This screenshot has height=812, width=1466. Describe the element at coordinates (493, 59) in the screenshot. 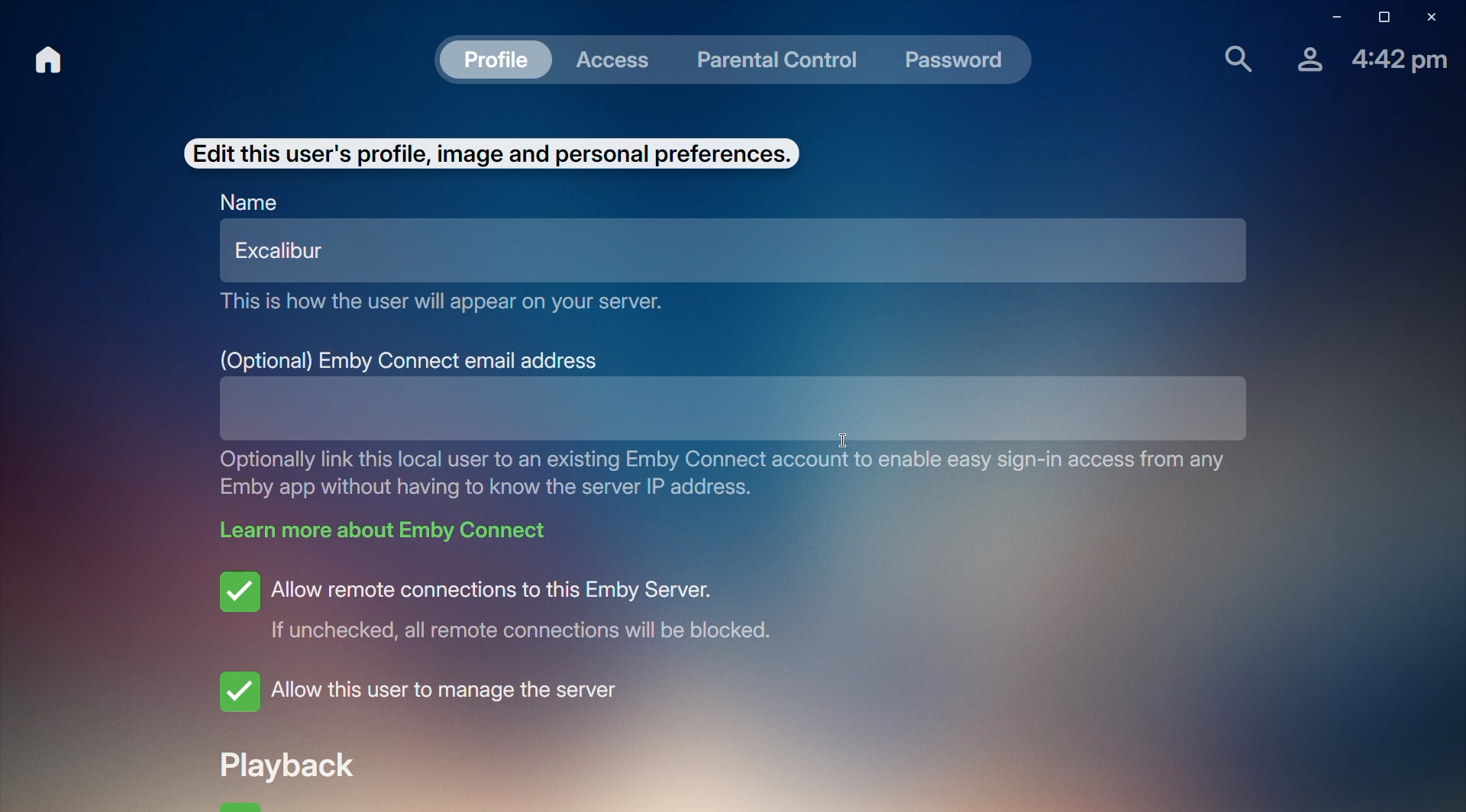

I see `Profile` at that location.